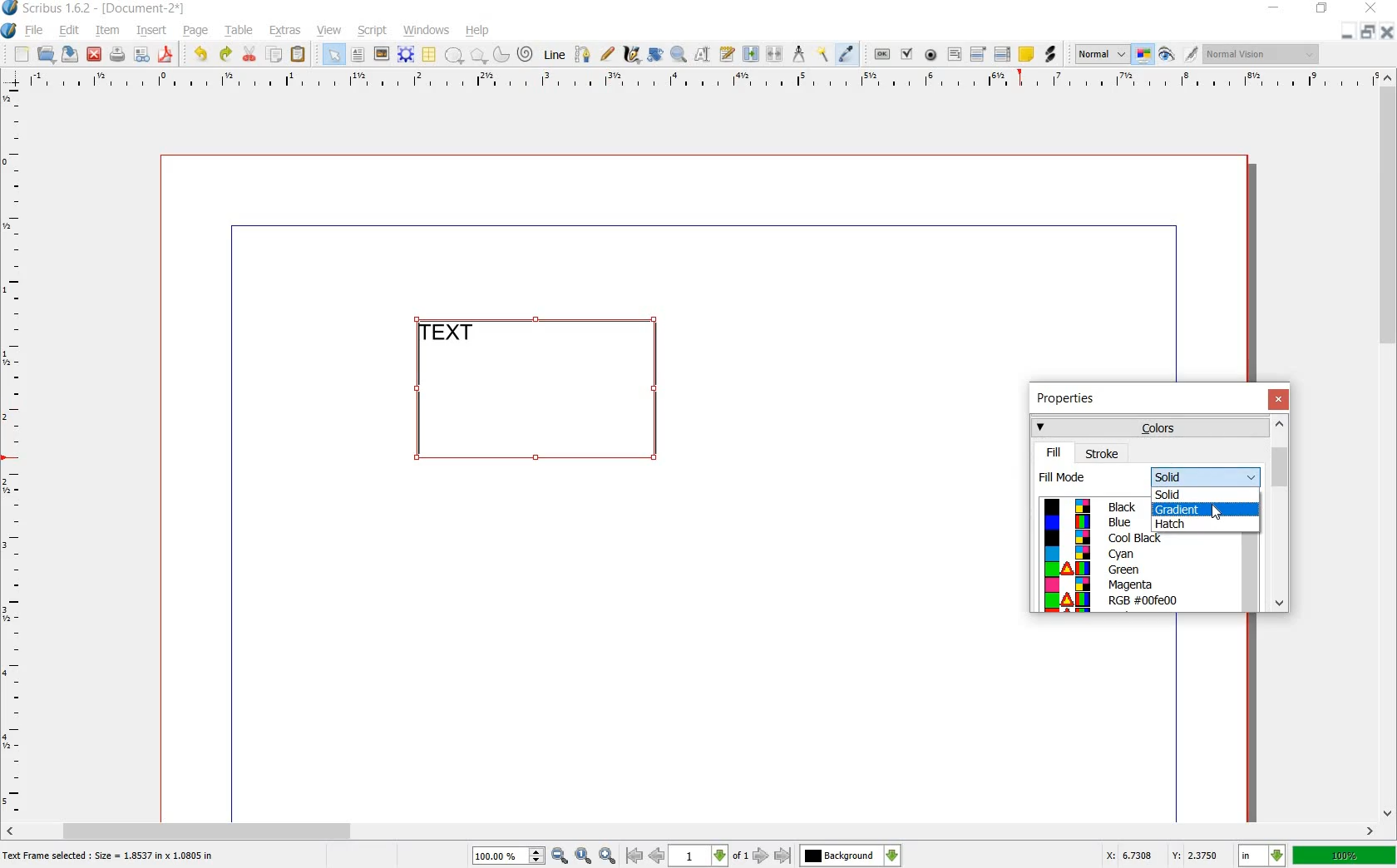 The image size is (1397, 868). I want to click on paste, so click(299, 55).